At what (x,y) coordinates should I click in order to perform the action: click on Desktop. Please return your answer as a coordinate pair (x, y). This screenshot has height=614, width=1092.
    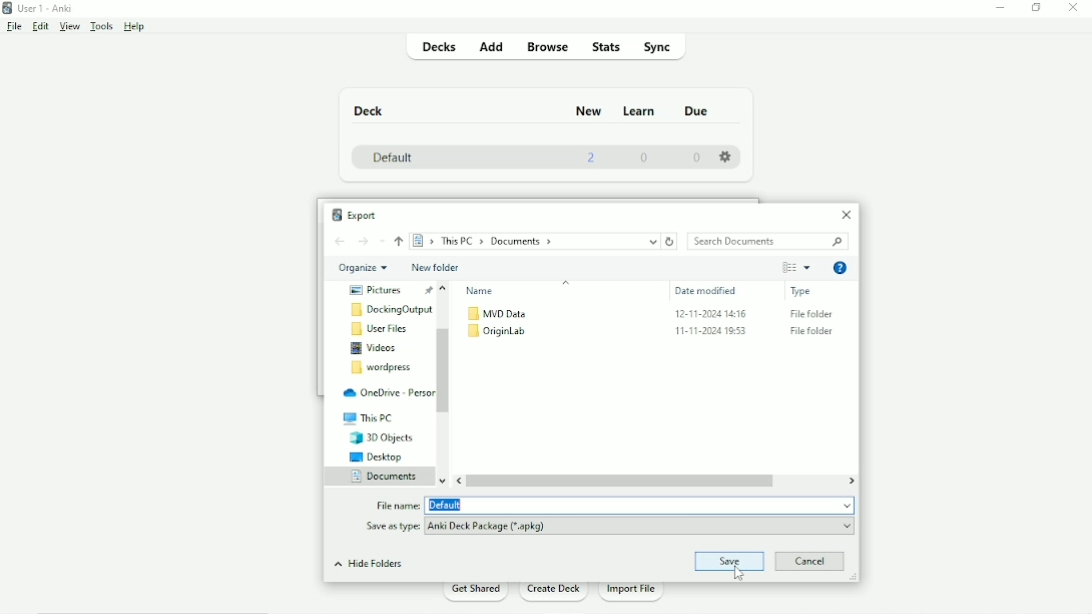
    Looking at the image, I should click on (376, 457).